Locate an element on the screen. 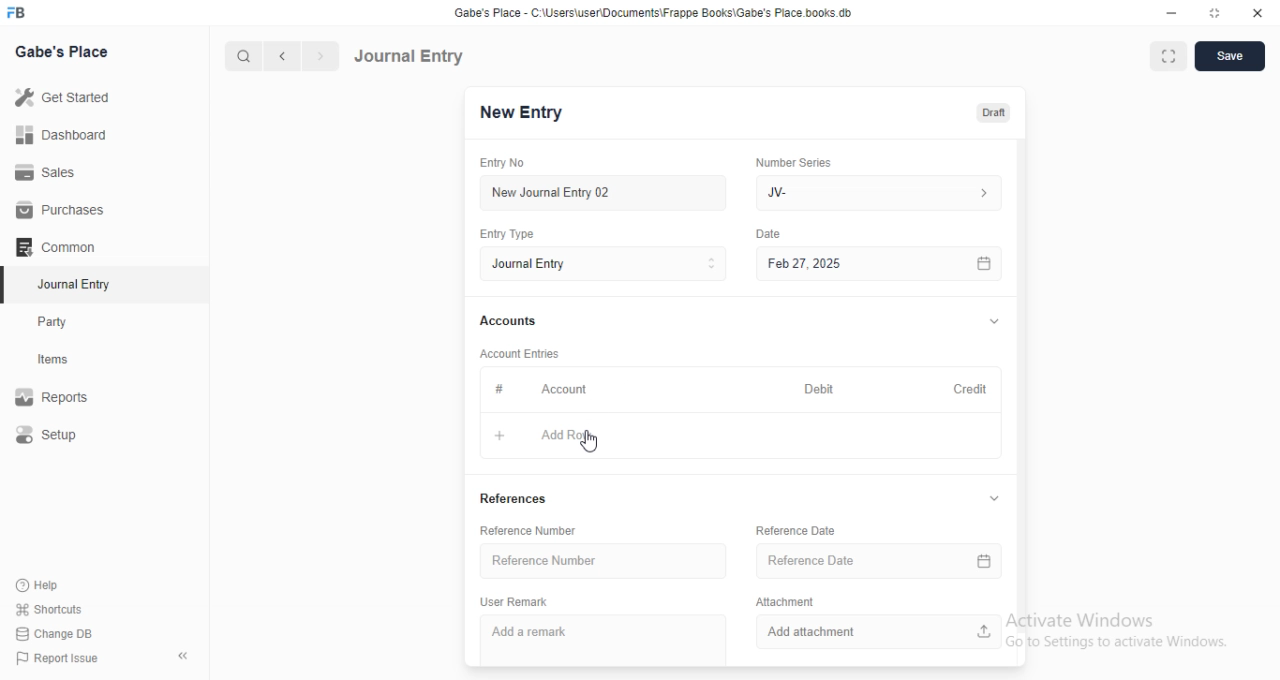 The height and width of the screenshot is (680, 1280). Get Started is located at coordinates (66, 97).